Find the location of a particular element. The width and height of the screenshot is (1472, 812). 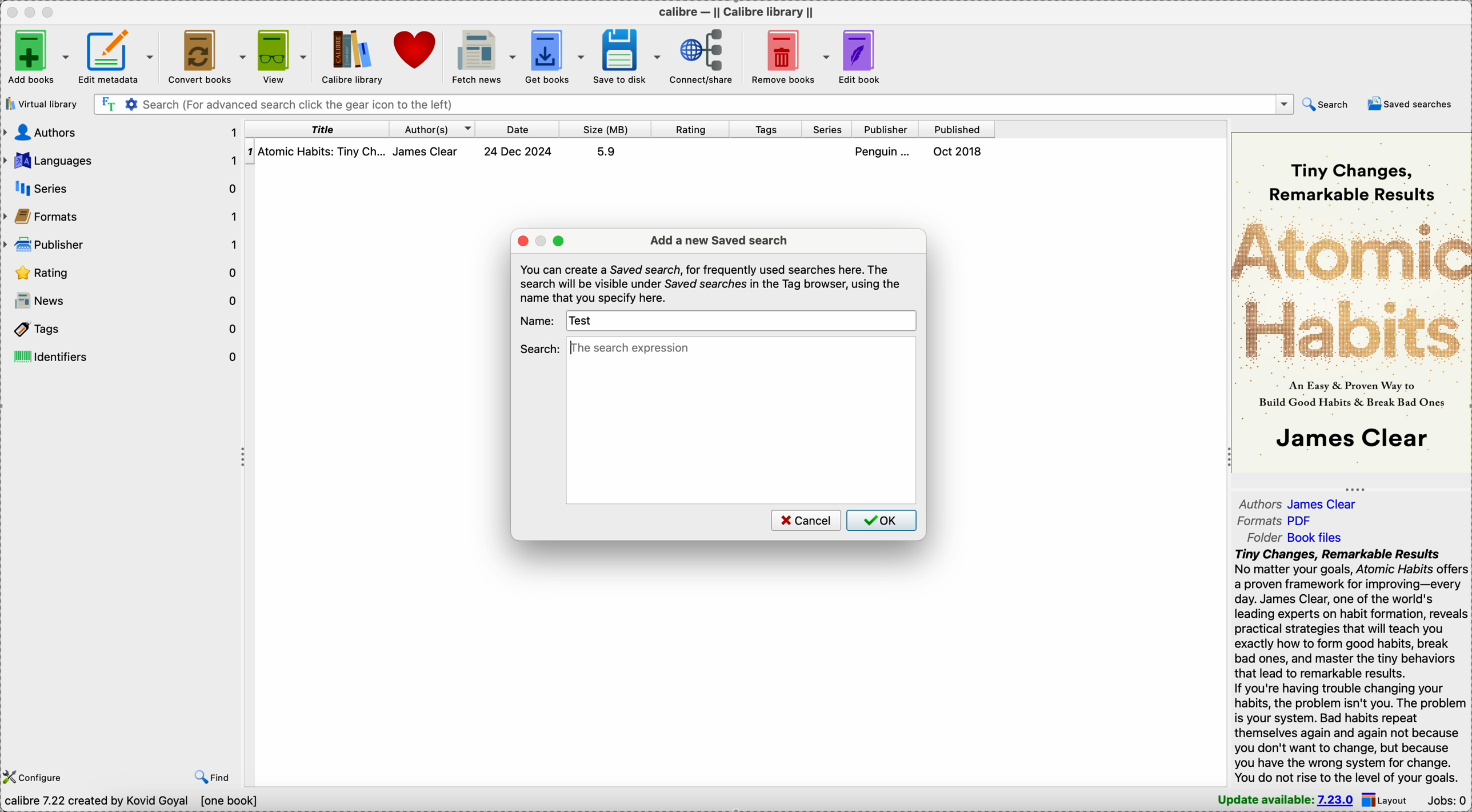

size is located at coordinates (606, 129).